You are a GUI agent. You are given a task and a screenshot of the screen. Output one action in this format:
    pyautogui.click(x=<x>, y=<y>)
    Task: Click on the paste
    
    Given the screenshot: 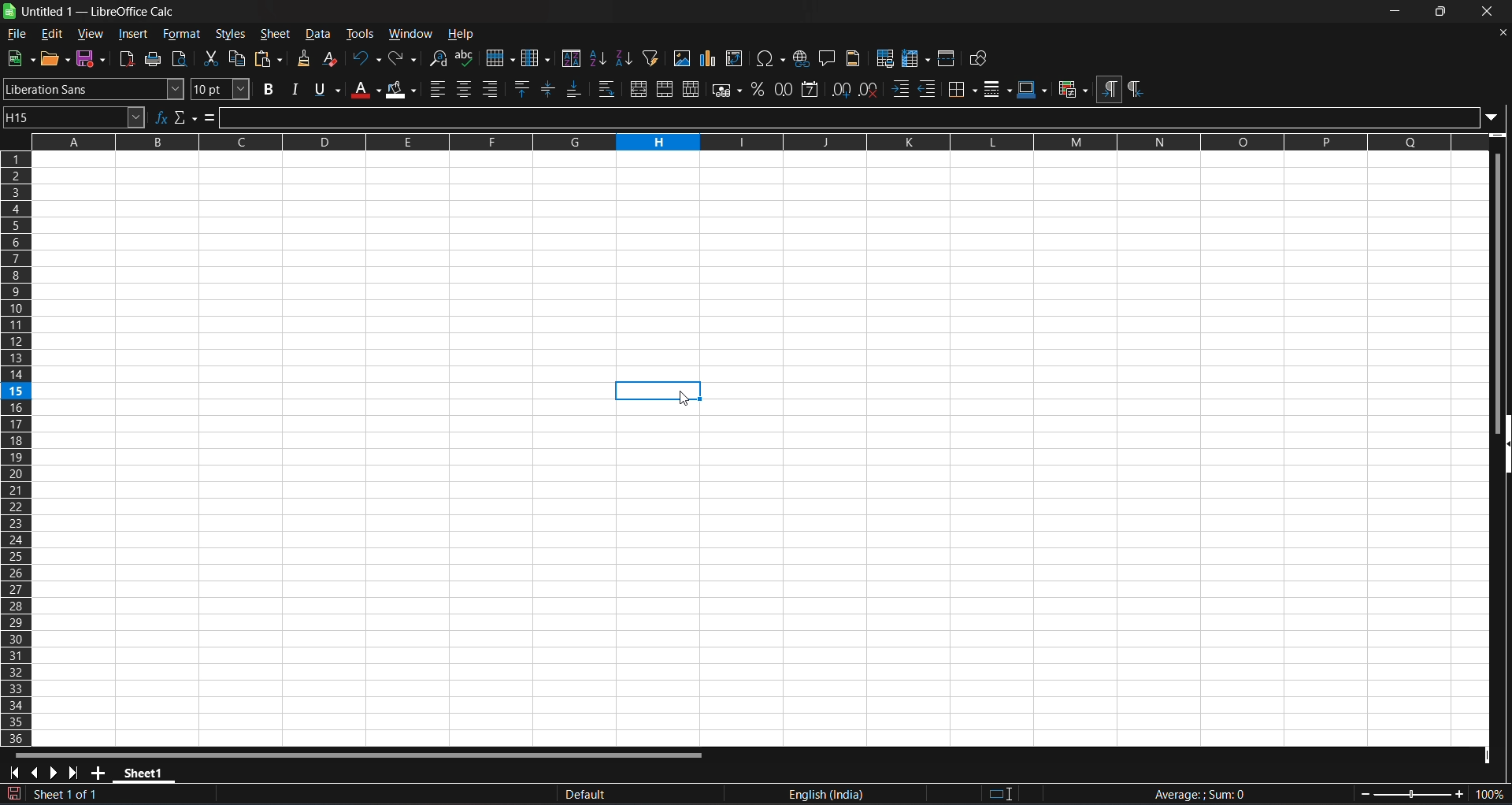 What is the action you would take?
    pyautogui.click(x=269, y=58)
    